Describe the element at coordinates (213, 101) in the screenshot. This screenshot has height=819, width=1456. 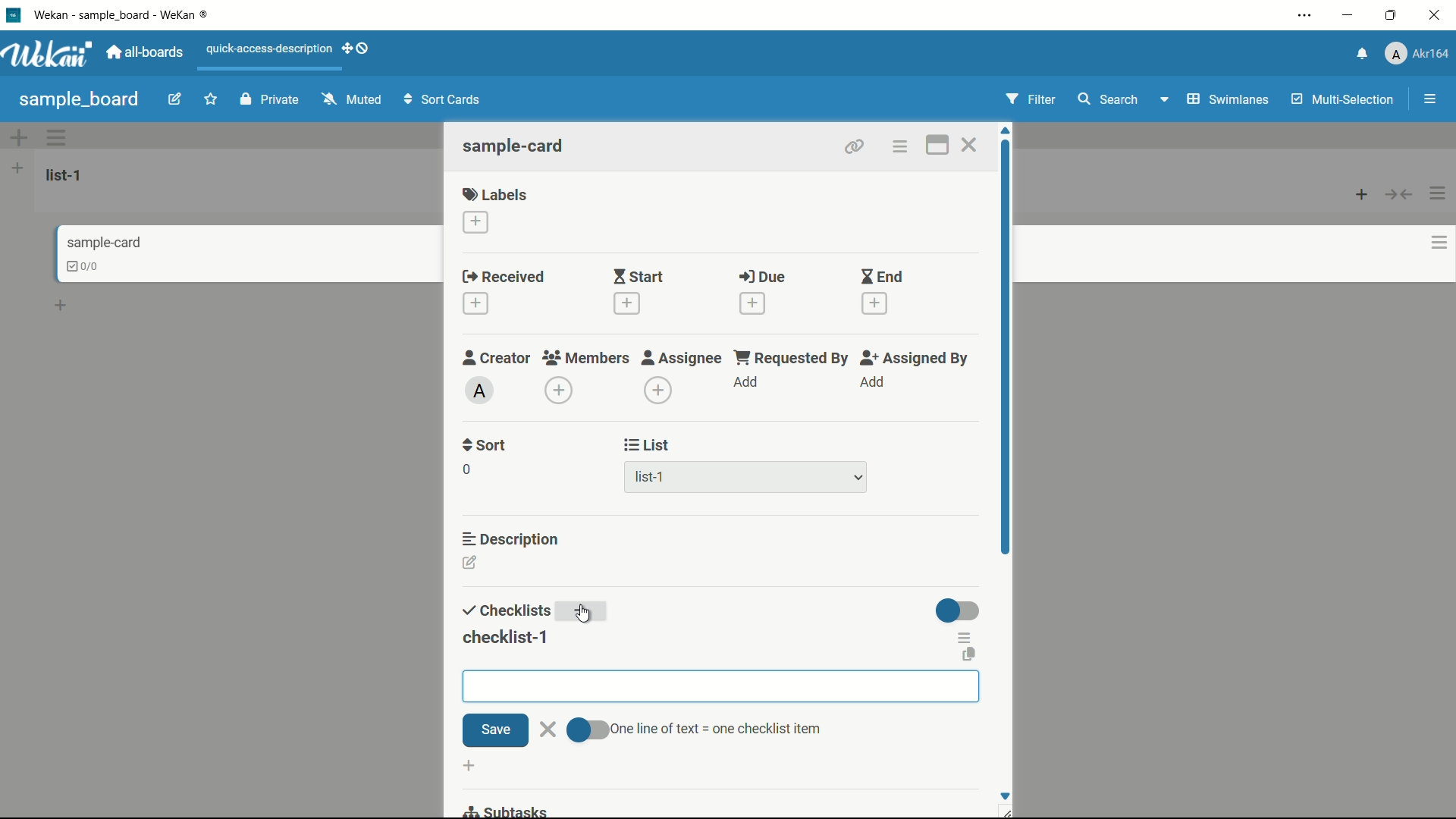
I see `star` at that location.